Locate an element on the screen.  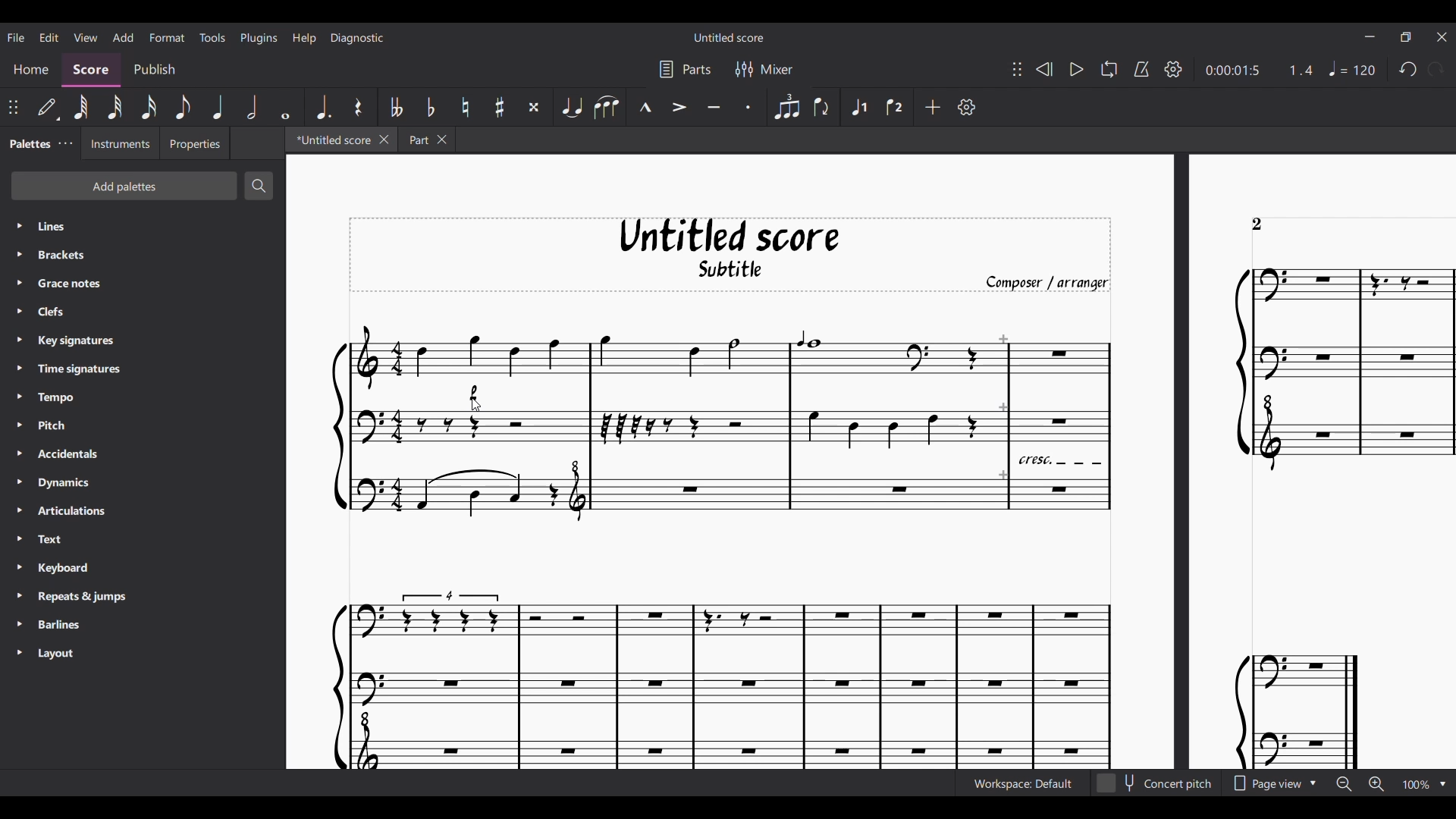
64th note is located at coordinates (81, 107).